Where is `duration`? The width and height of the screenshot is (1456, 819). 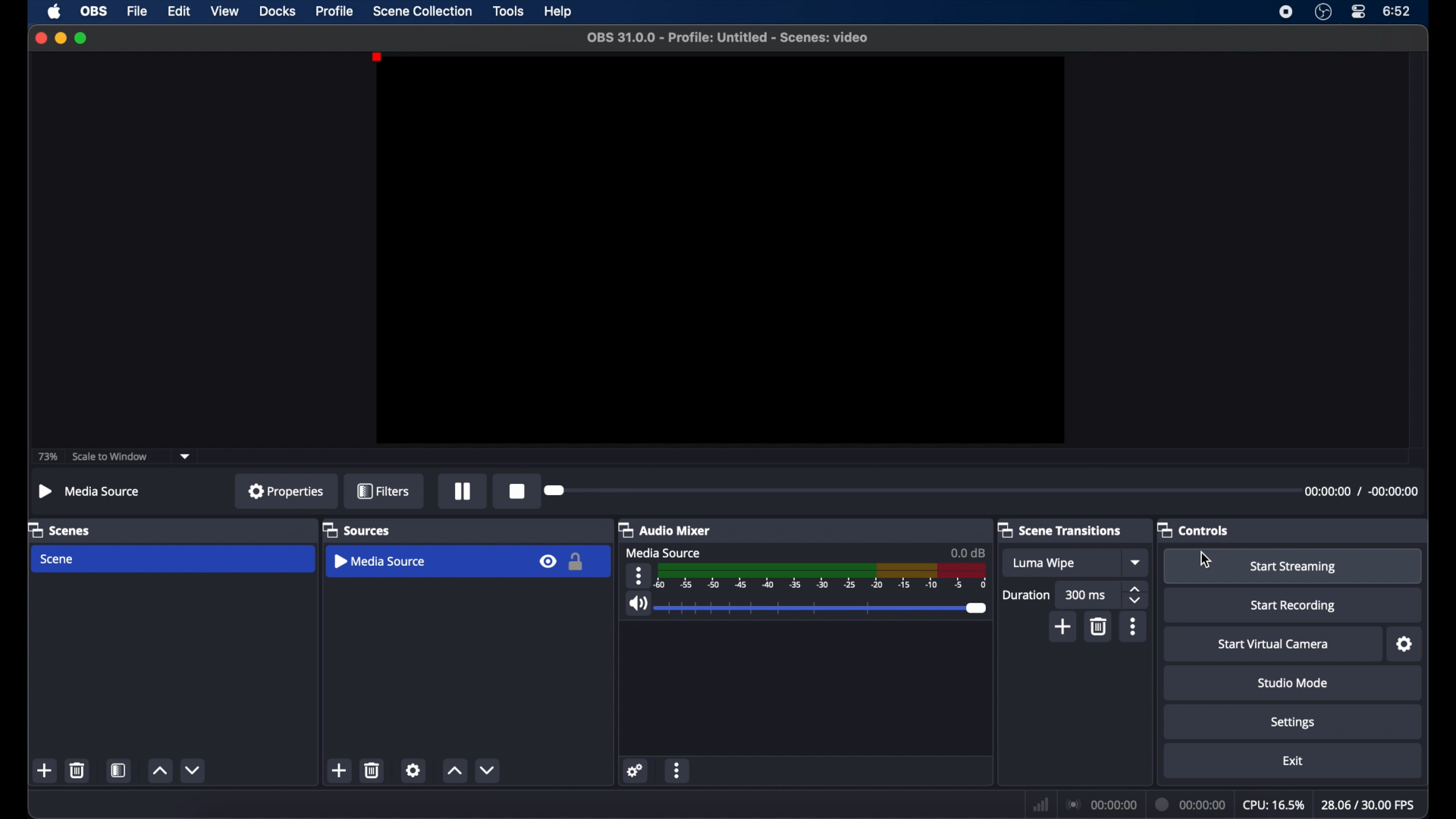
duration is located at coordinates (1025, 595).